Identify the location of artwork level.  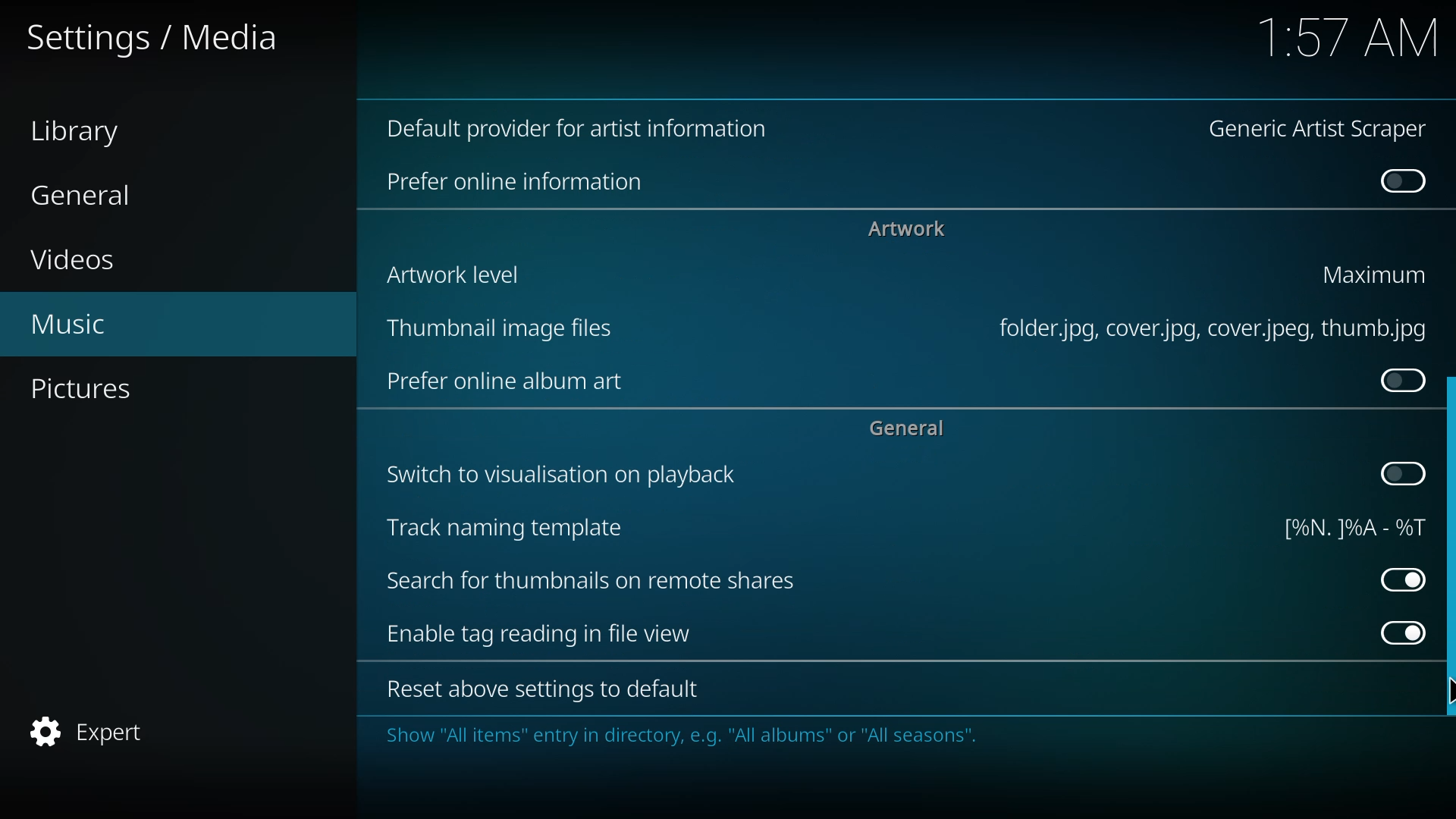
(447, 273).